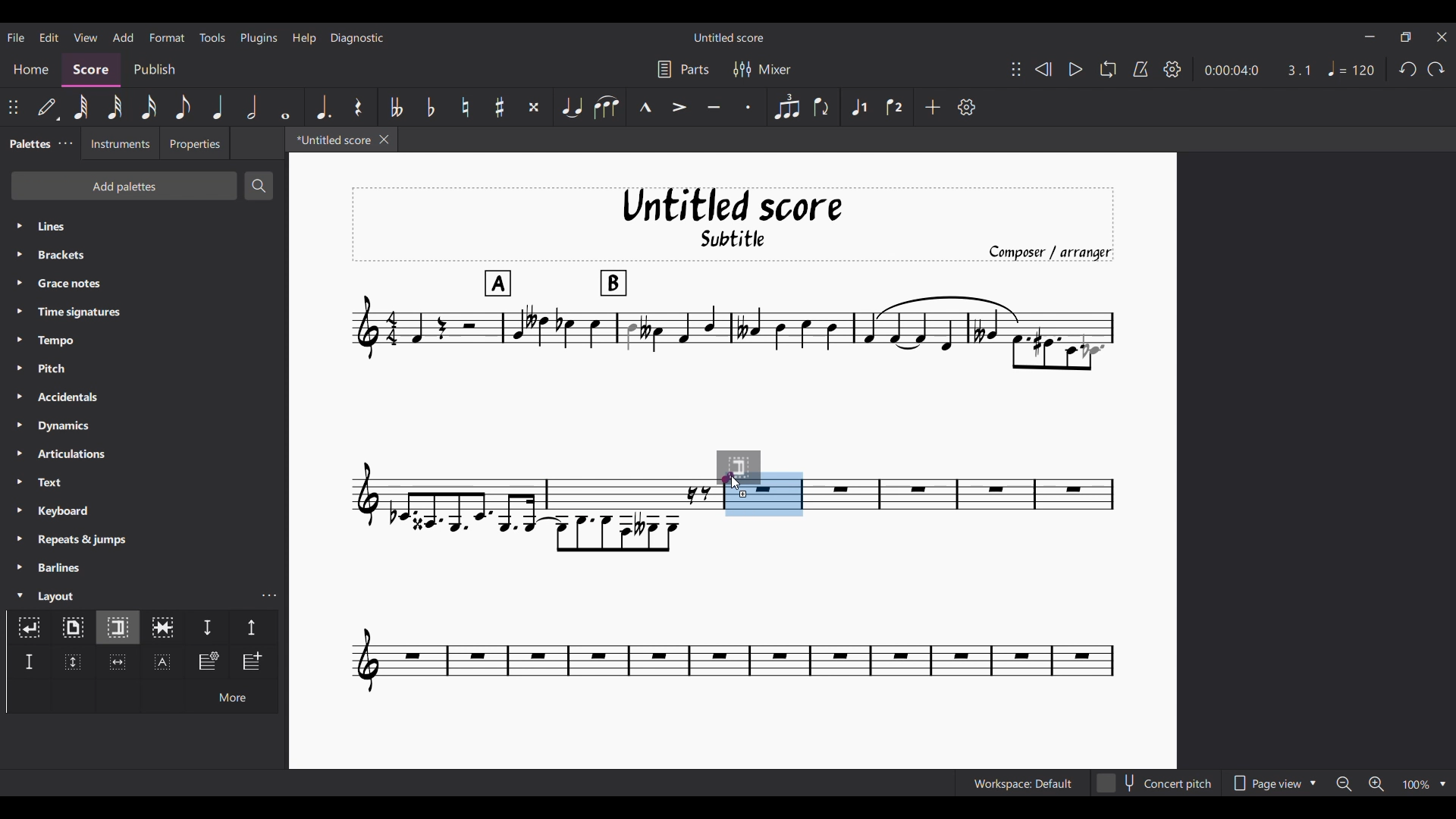 Image resolution: width=1456 pixels, height=819 pixels. Describe the element at coordinates (1376, 783) in the screenshot. I see `Zoom in` at that location.